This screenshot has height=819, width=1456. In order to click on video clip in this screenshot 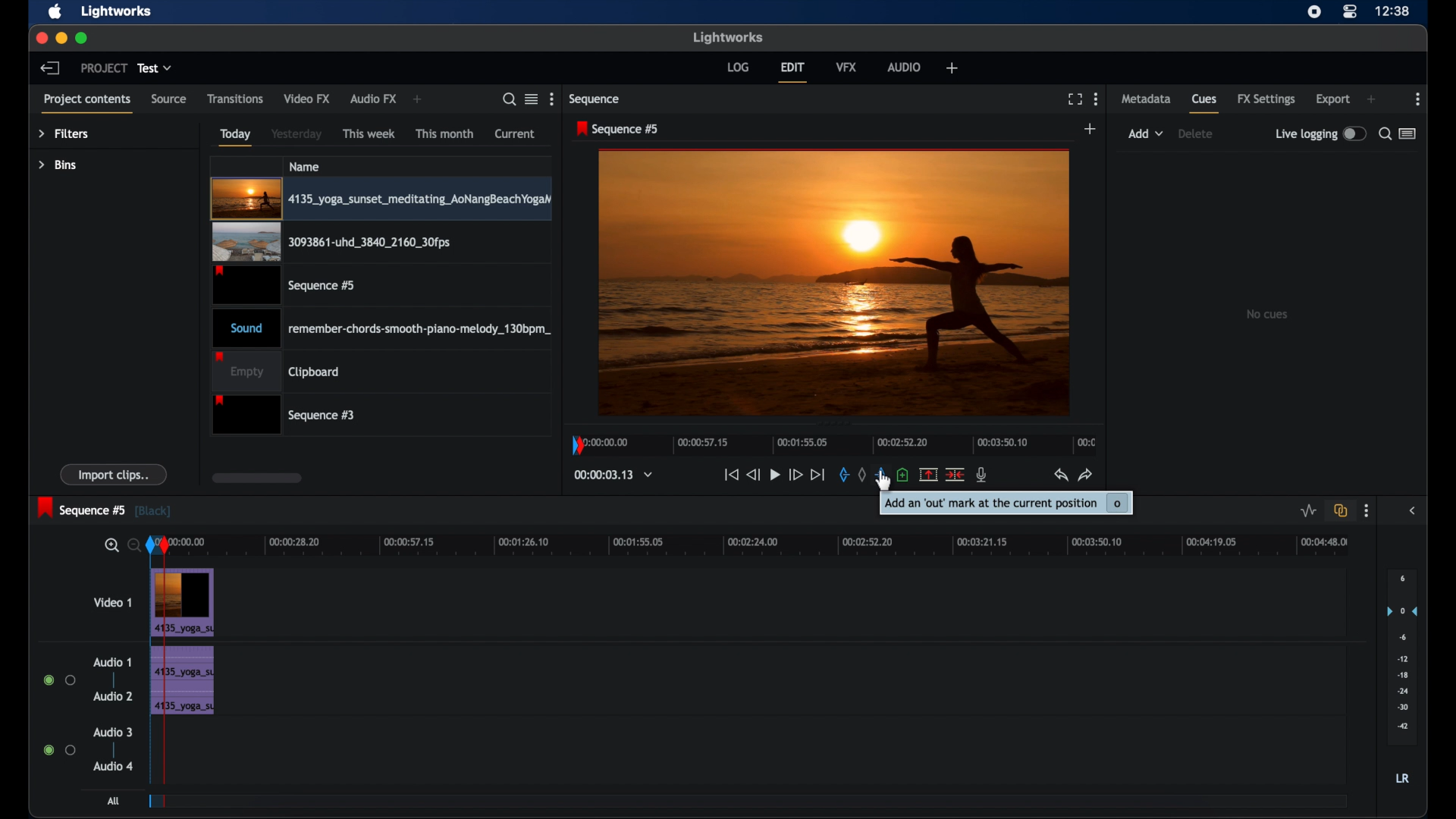, I will do `click(282, 286)`.